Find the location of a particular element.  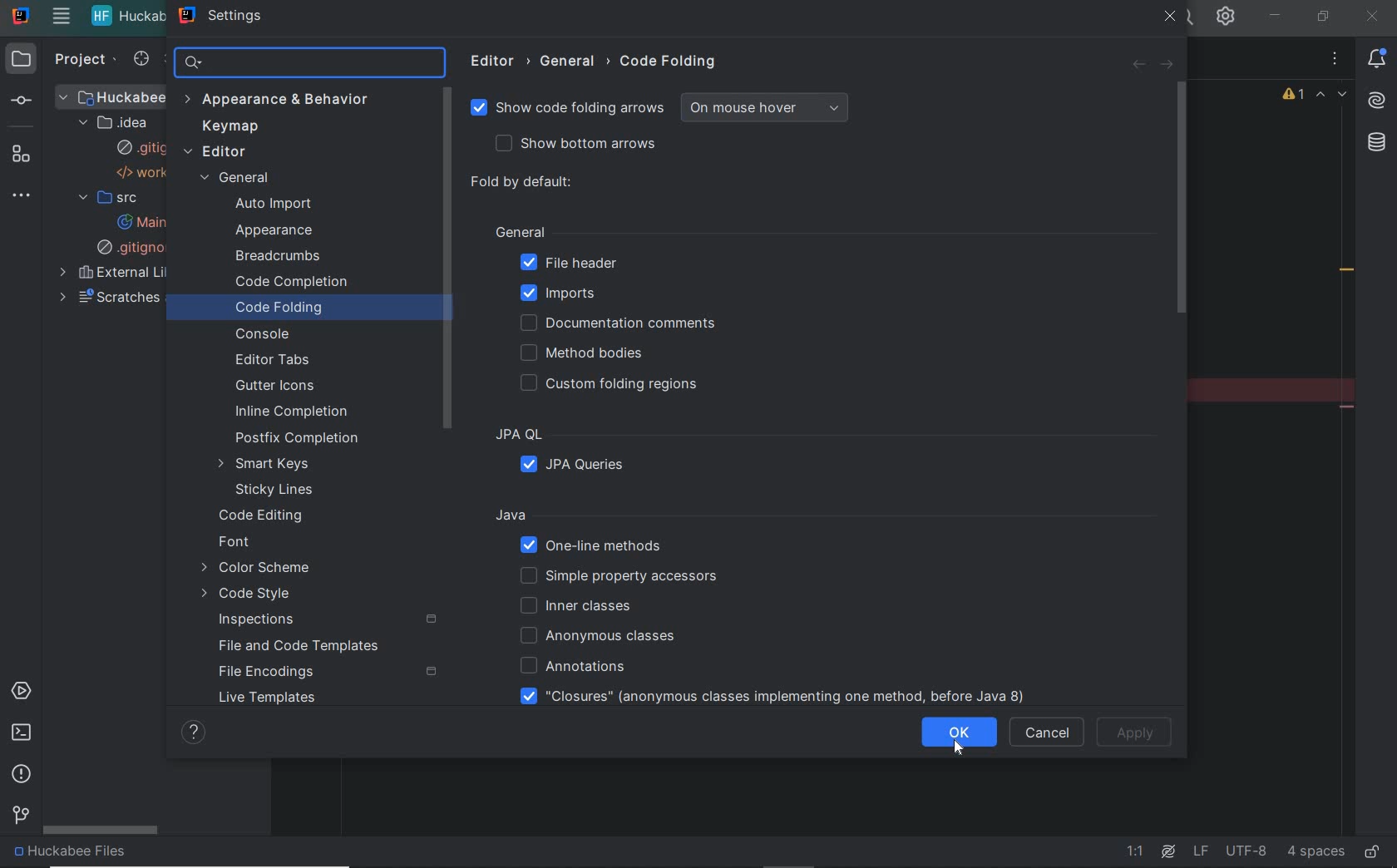

.idea is located at coordinates (118, 122).